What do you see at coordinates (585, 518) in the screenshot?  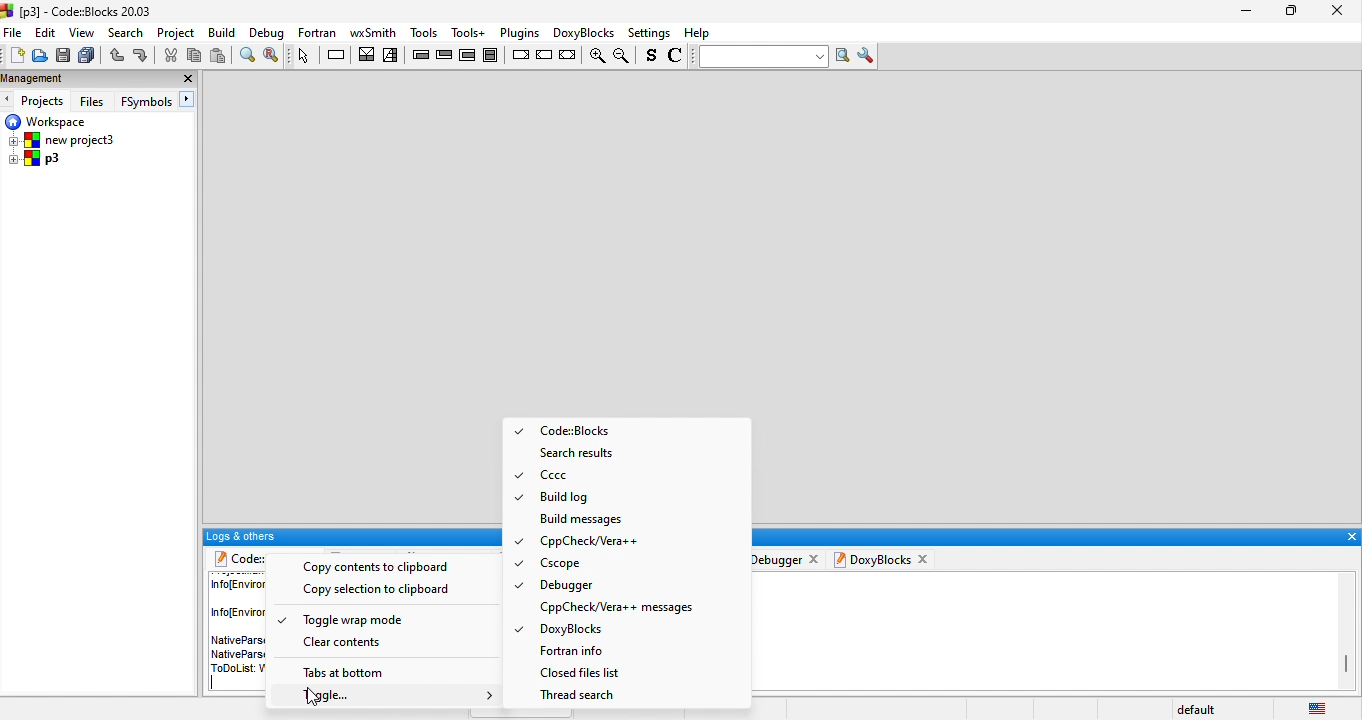 I see `build message` at bounding box center [585, 518].